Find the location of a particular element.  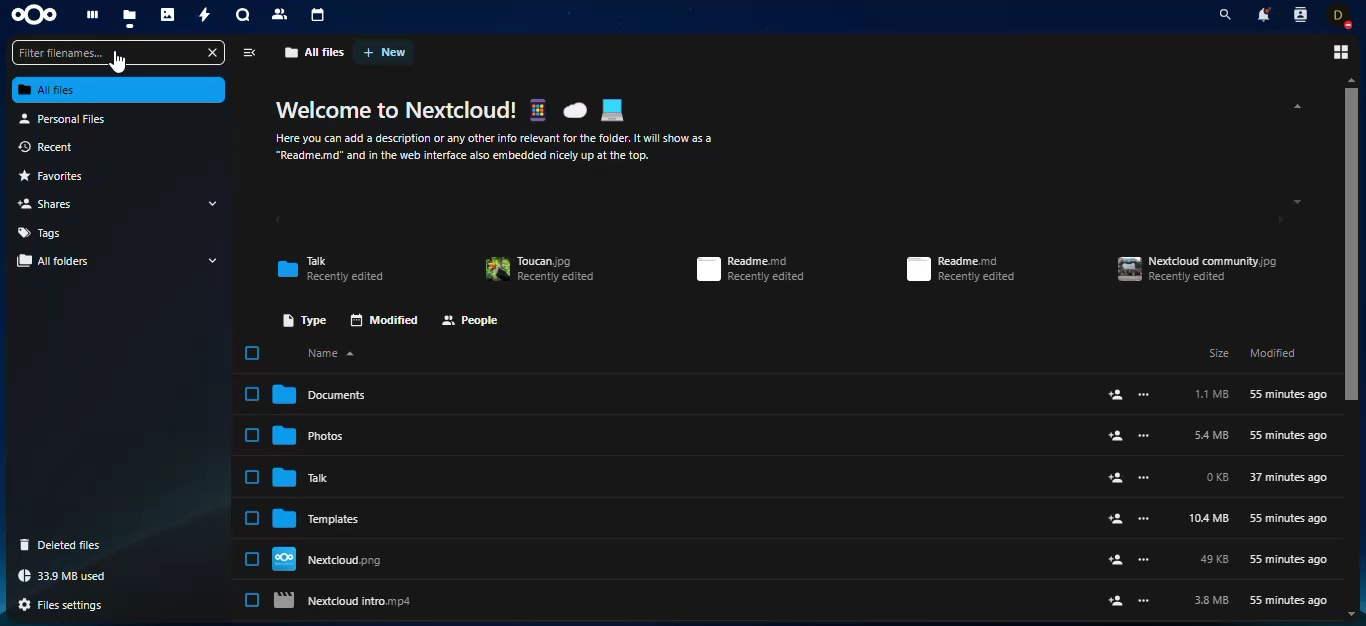

more is located at coordinates (1144, 436).